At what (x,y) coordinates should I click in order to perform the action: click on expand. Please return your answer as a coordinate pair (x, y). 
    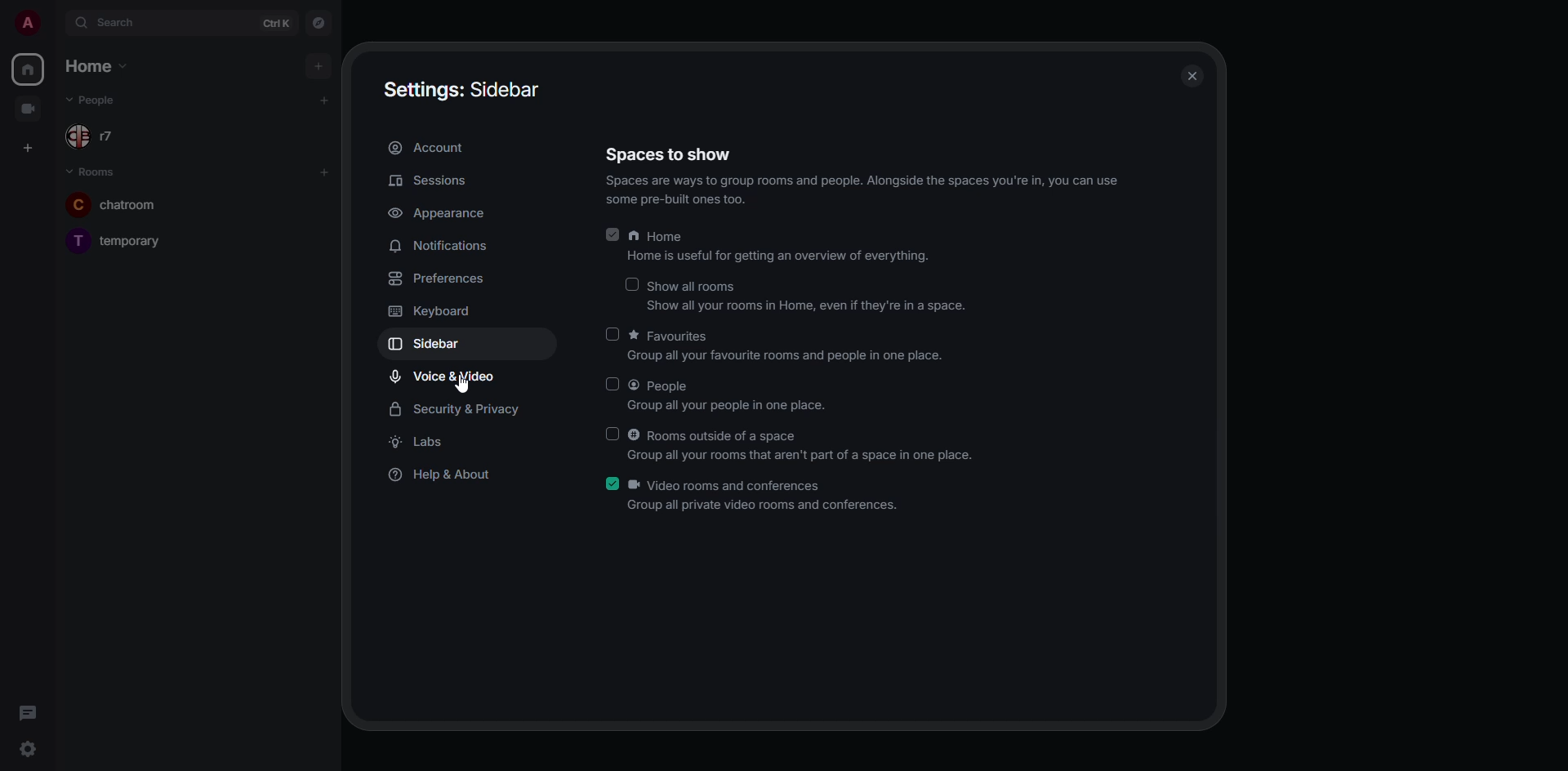
    Looking at the image, I should click on (57, 25).